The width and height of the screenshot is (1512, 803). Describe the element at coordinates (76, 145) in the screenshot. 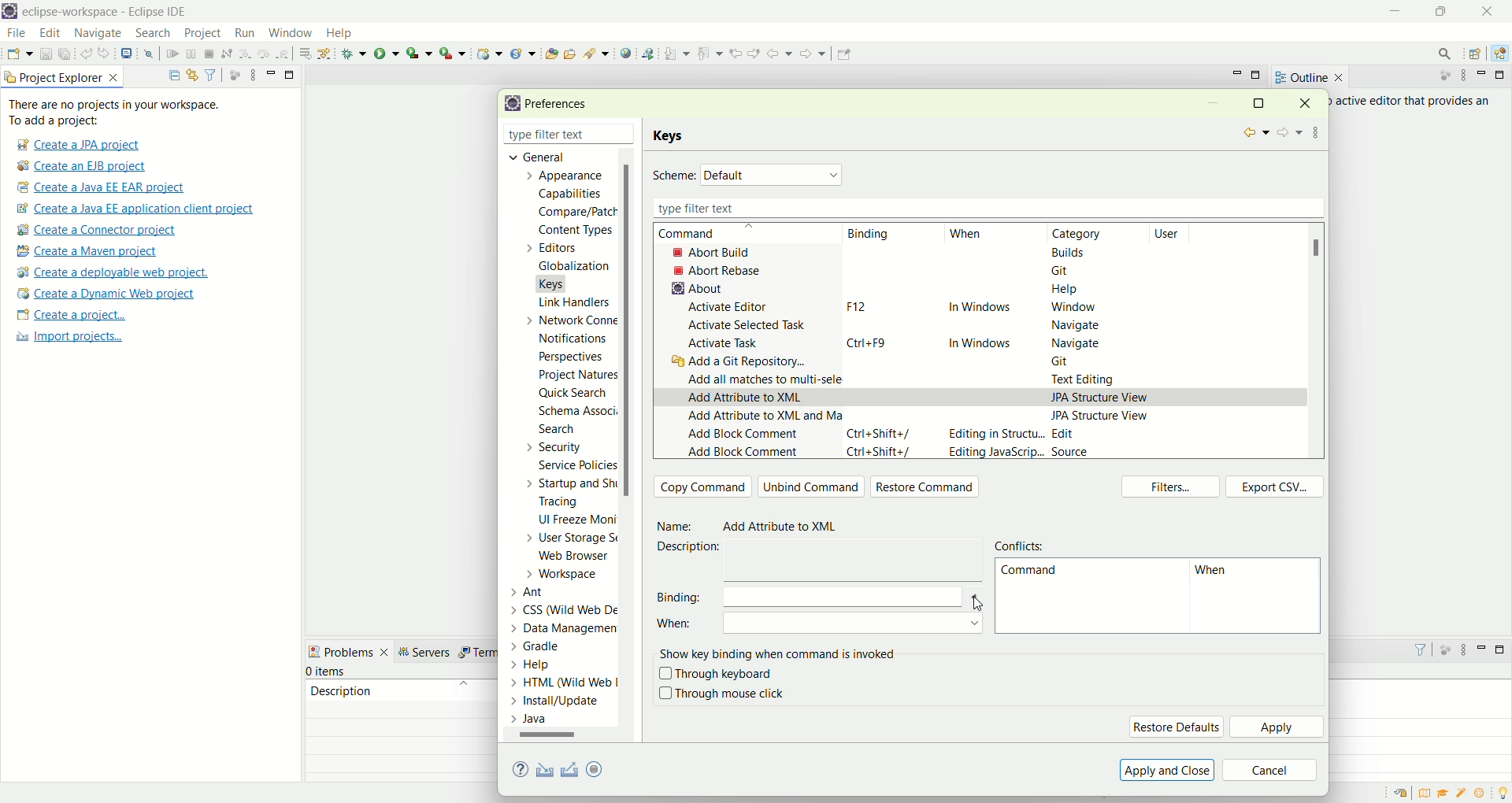

I see `create a JPA project` at that location.